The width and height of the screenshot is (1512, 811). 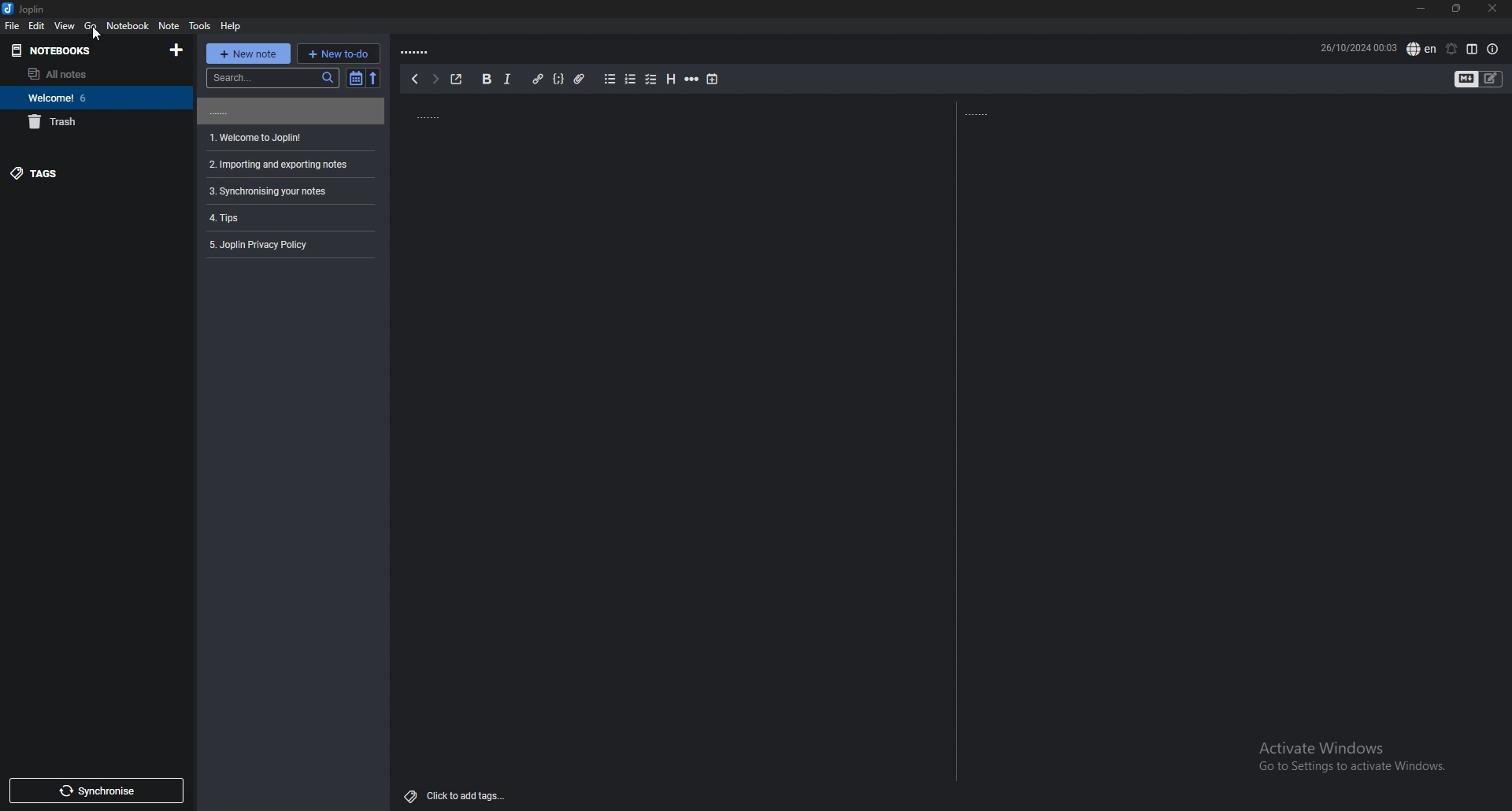 What do you see at coordinates (97, 790) in the screenshot?
I see `synchronise` at bounding box center [97, 790].